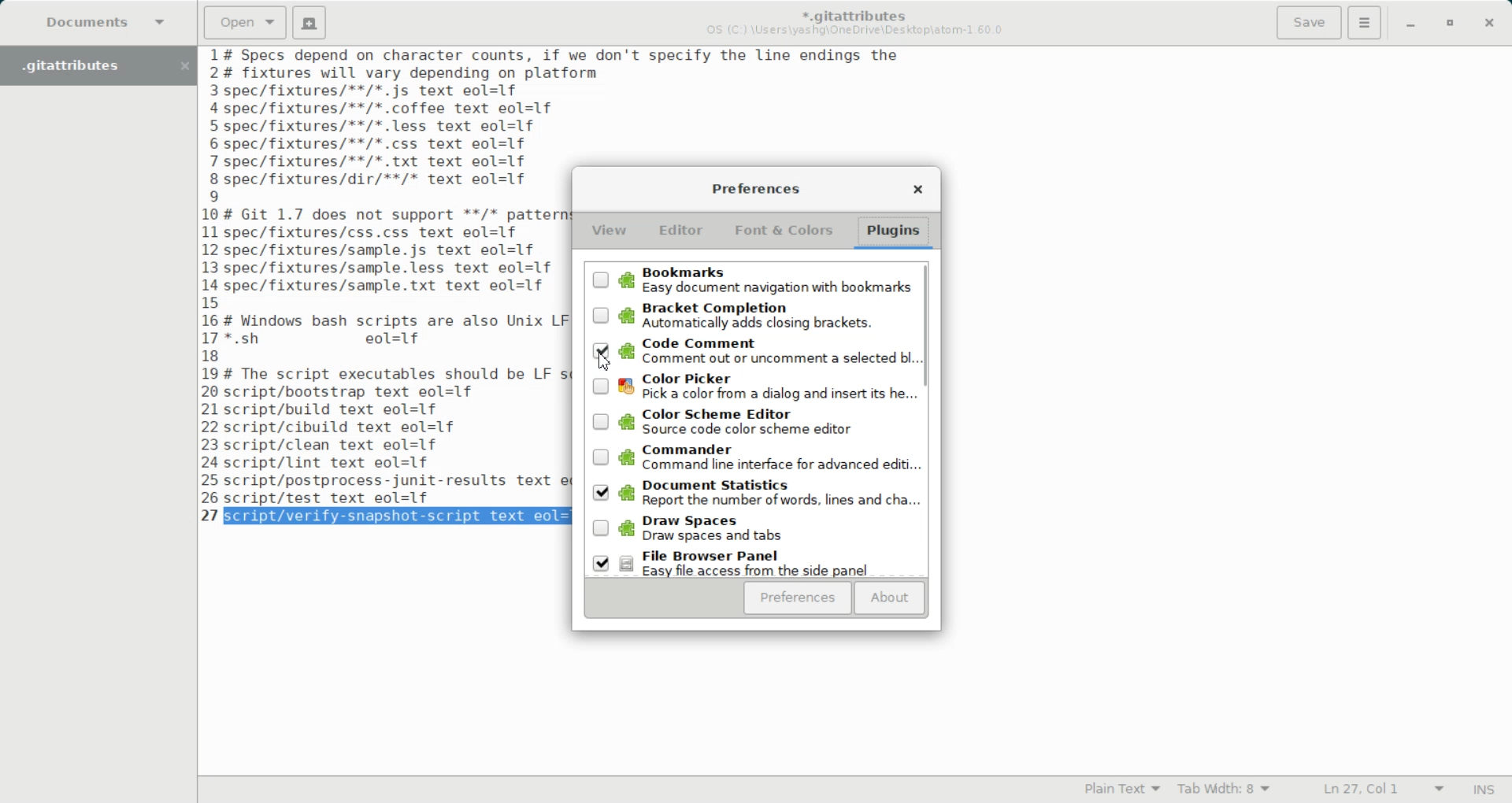 This screenshot has height=803, width=1512. I want to click on View, so click(610, 232).